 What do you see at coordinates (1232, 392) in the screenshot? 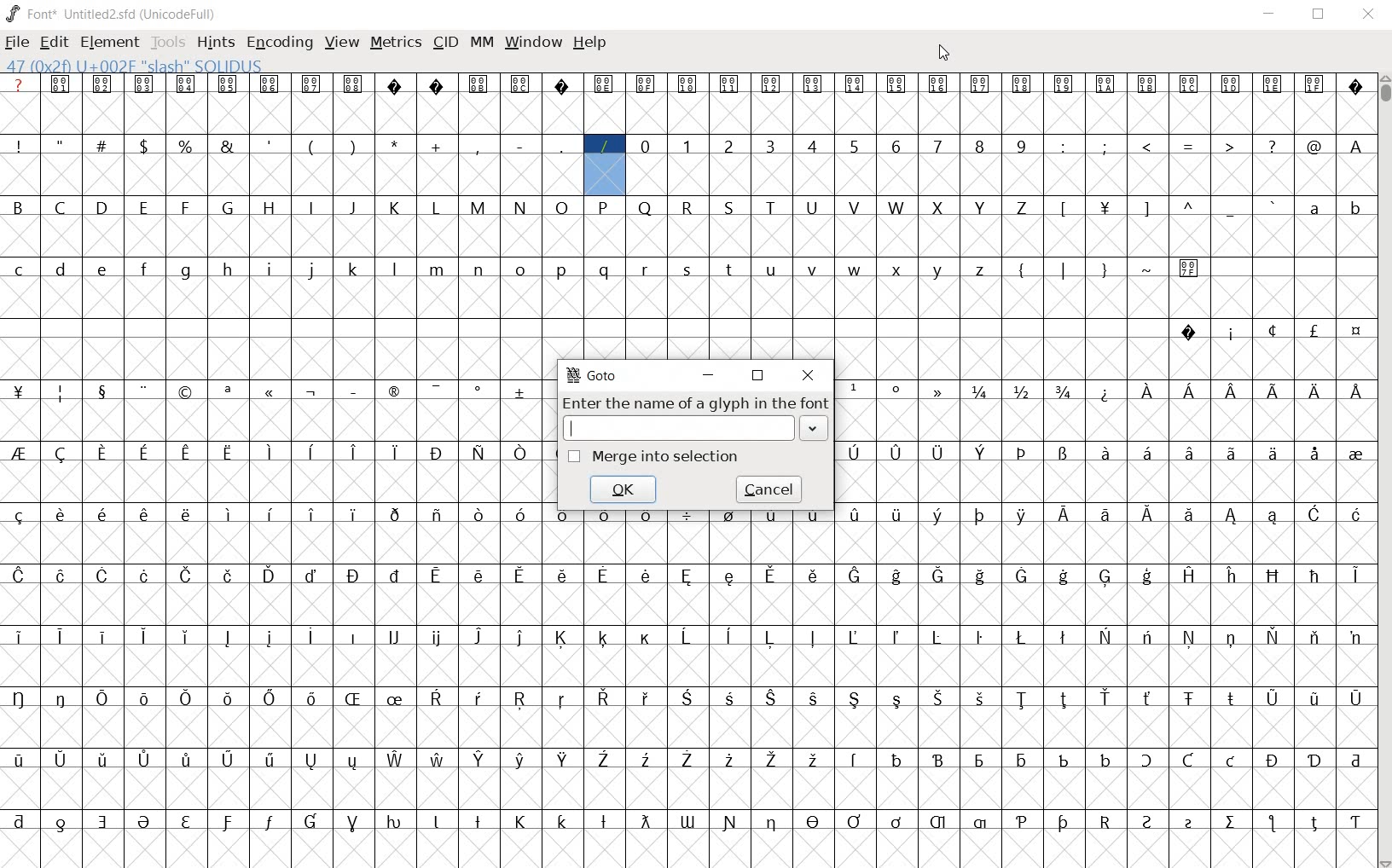
I see `glyph` at bounding box center [1232, 392].